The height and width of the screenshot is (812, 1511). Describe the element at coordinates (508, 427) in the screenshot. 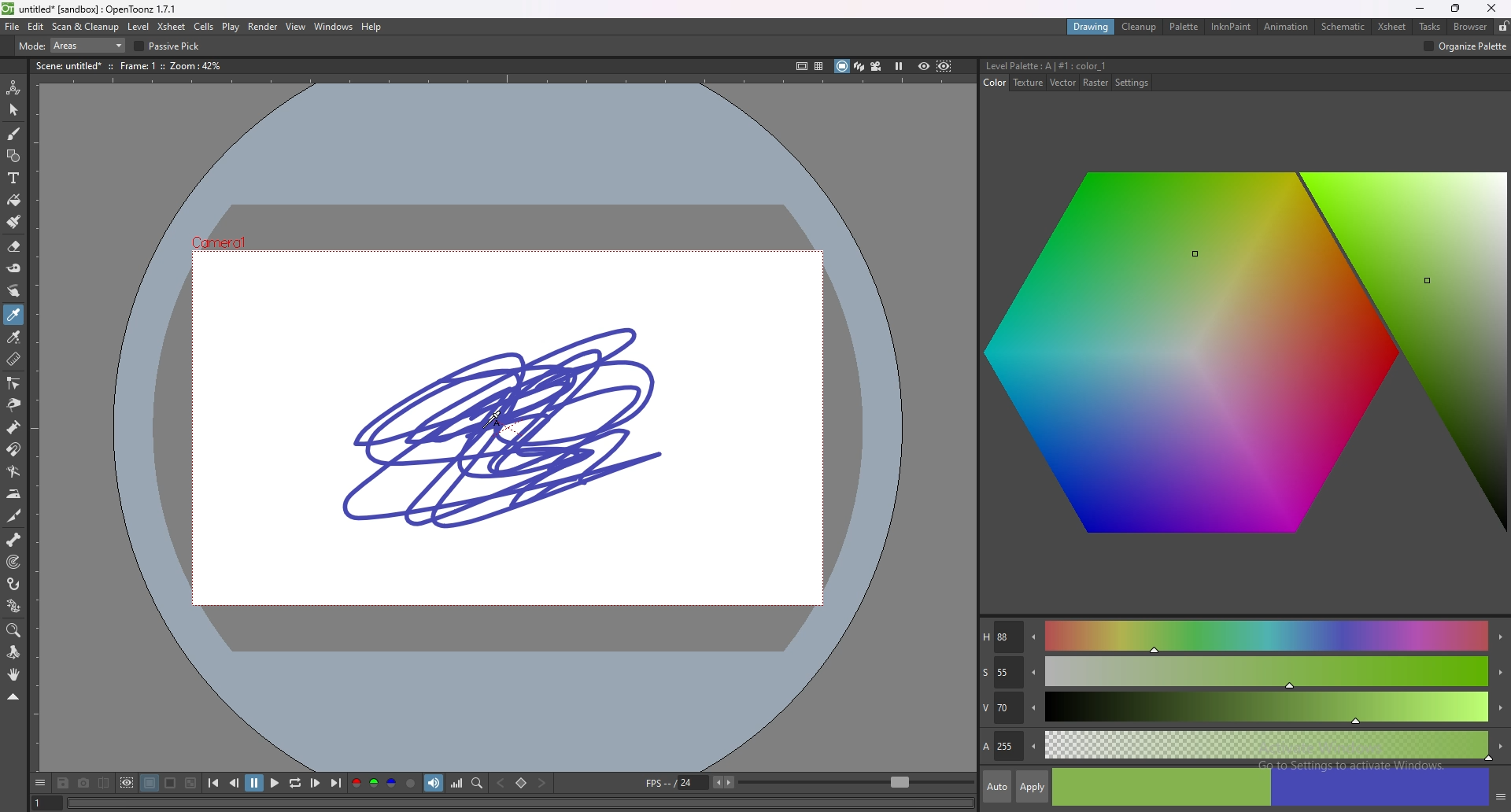

I see `drawing` at that location.